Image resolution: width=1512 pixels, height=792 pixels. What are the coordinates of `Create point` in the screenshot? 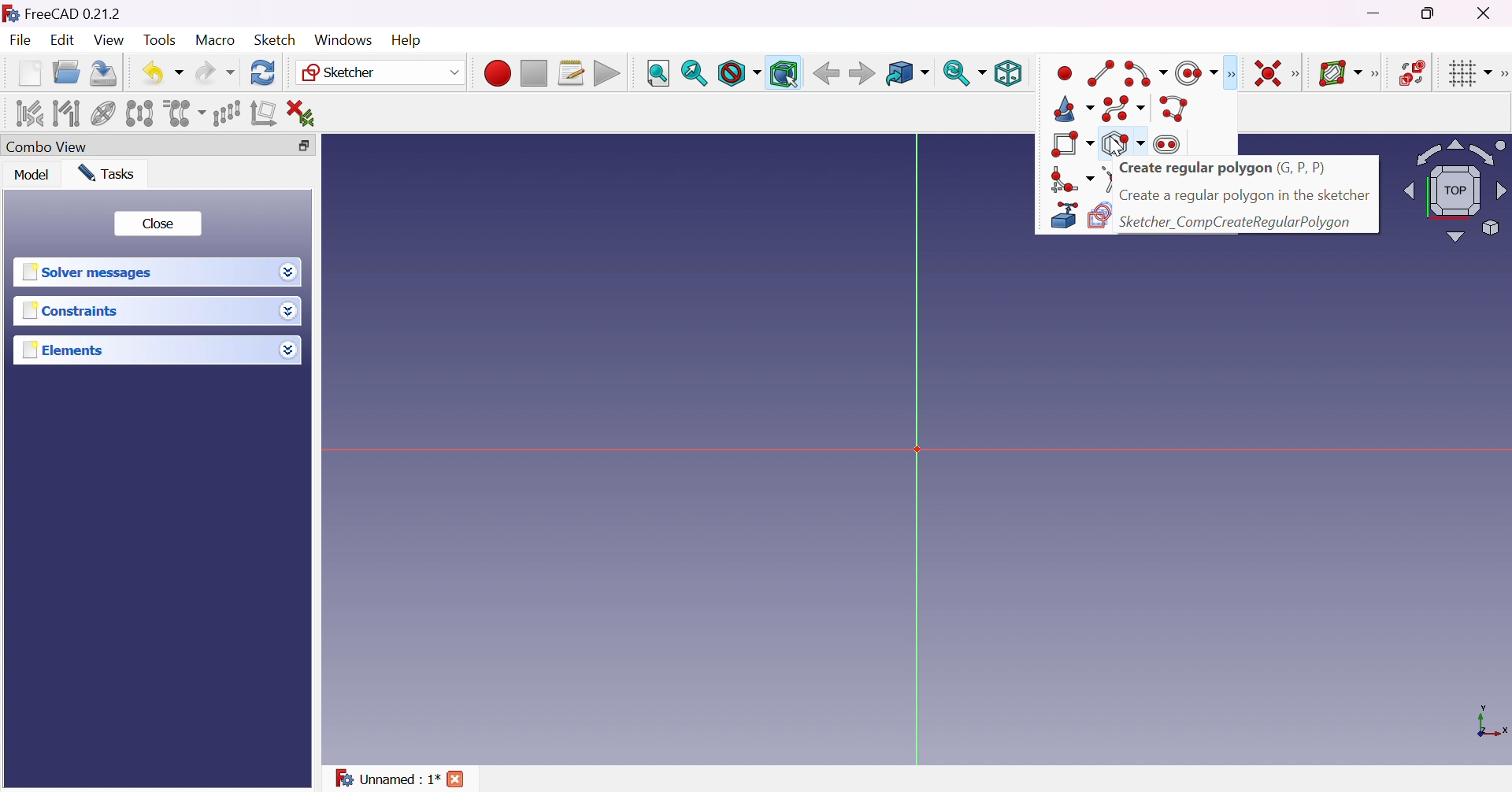 It's located at (1065, 73).